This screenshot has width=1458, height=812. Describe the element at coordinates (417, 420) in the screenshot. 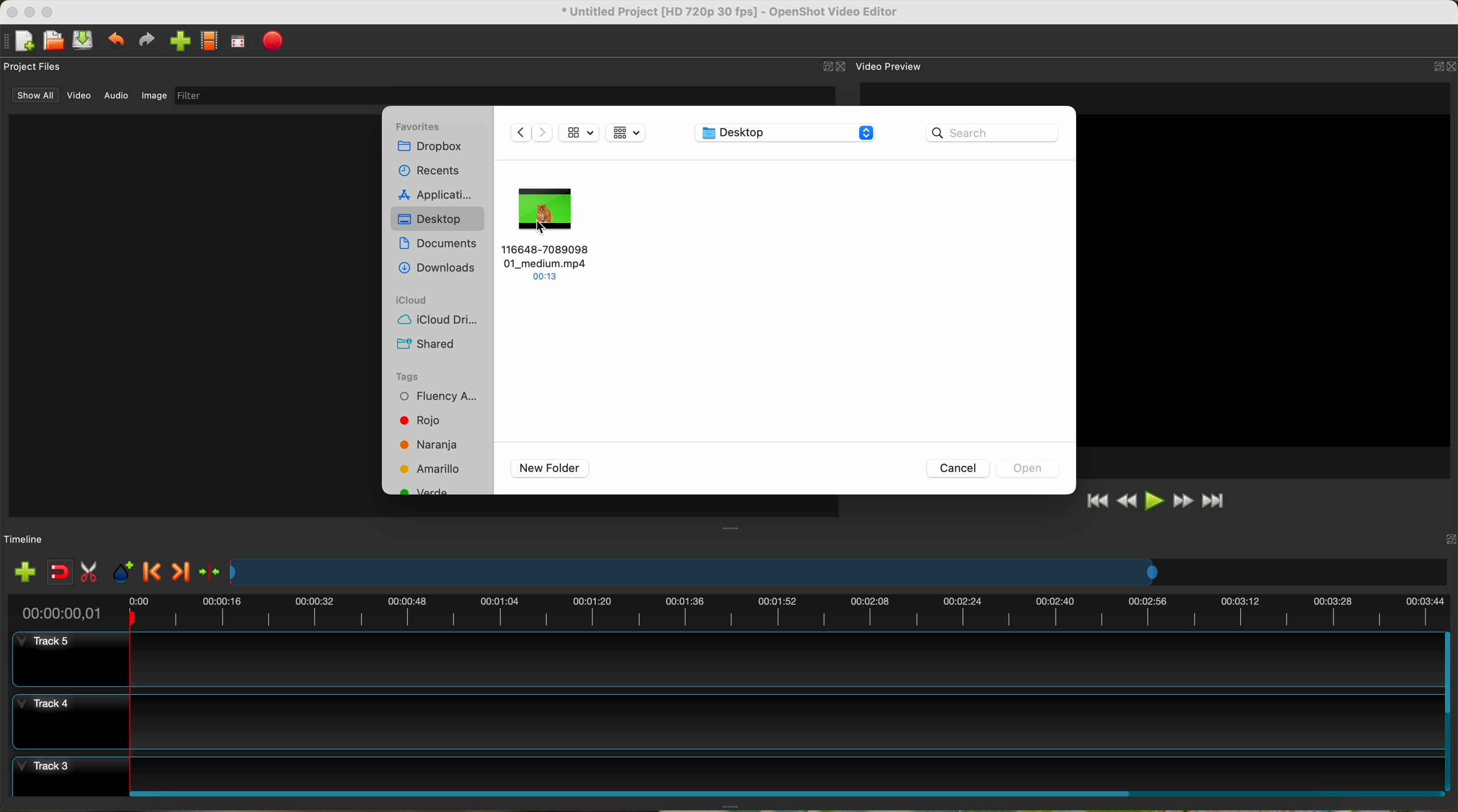

I see `red tag` at that location.